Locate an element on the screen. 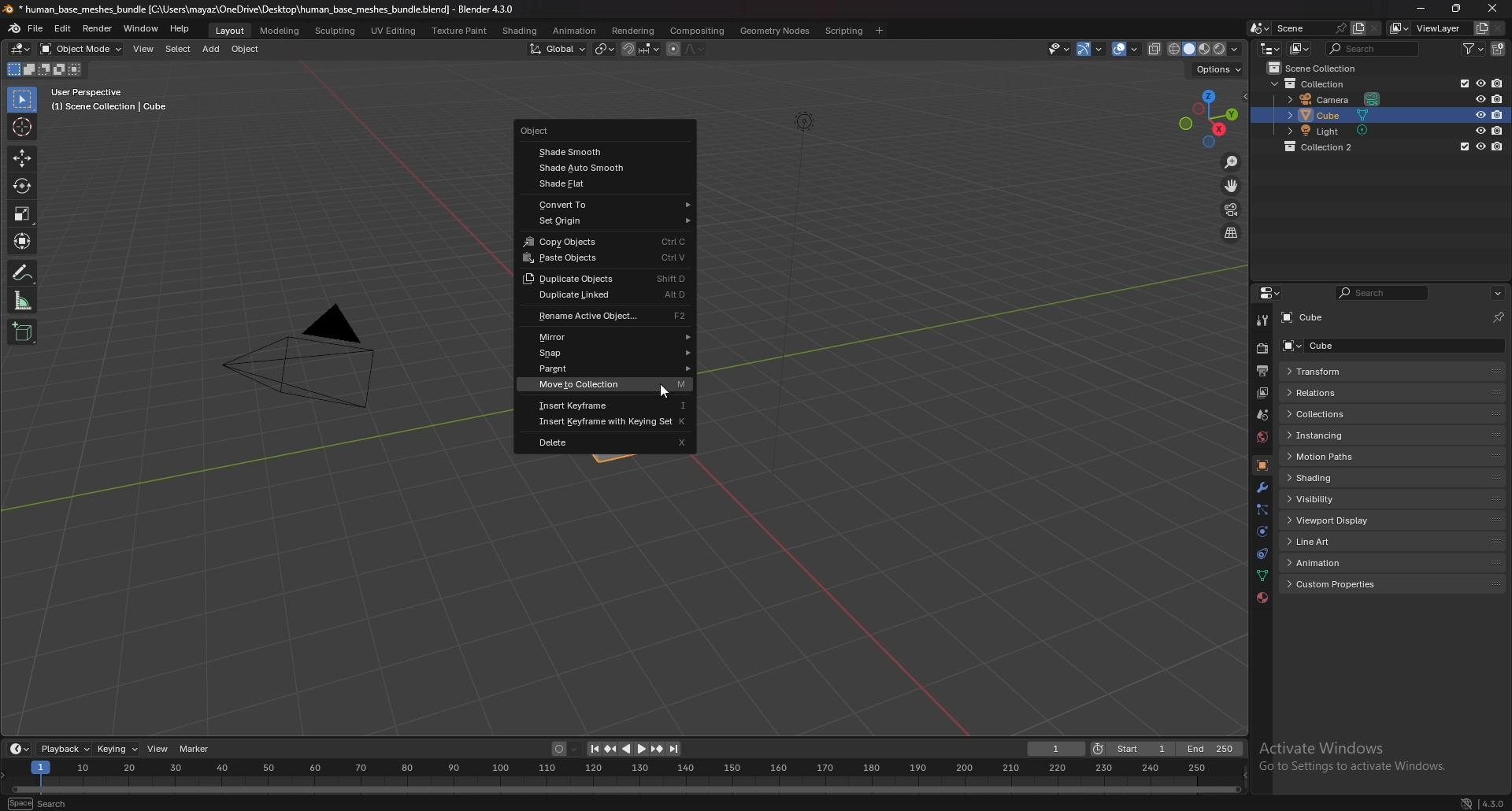 This screenshot has width=1512, height=811. camera is located at coordinates (1339, 98).